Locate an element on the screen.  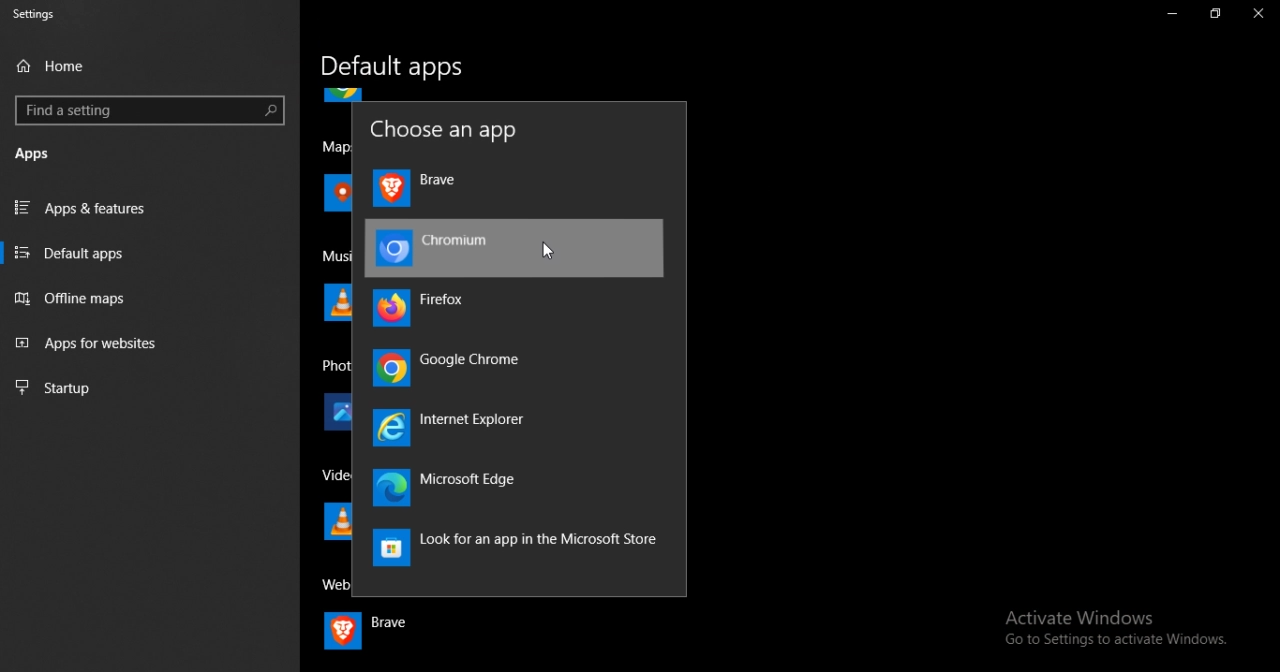
cursor is located at coordinates (548, 250).